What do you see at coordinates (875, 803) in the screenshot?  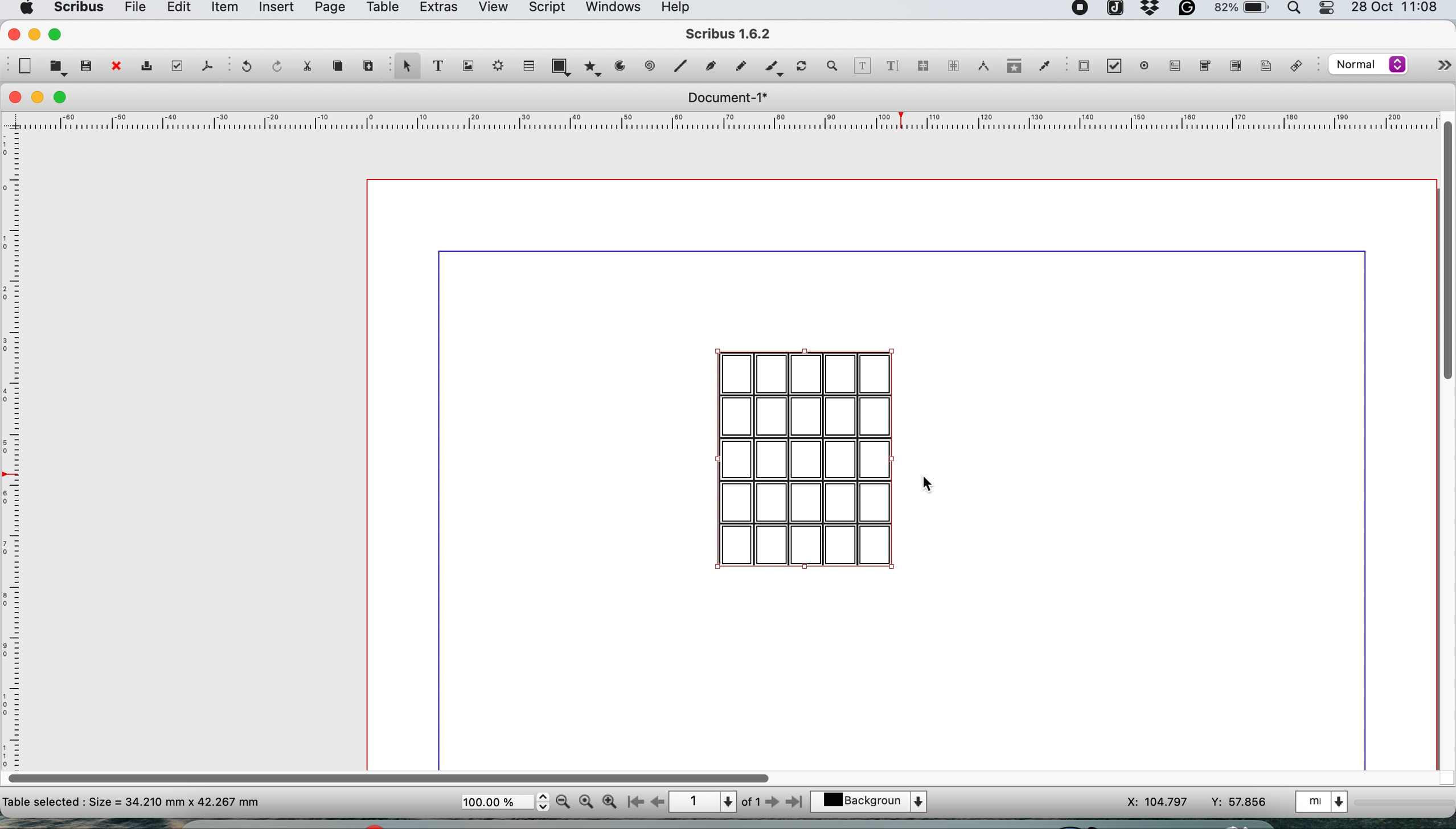 I see `select the current layer` at bounding box center [875, 803].